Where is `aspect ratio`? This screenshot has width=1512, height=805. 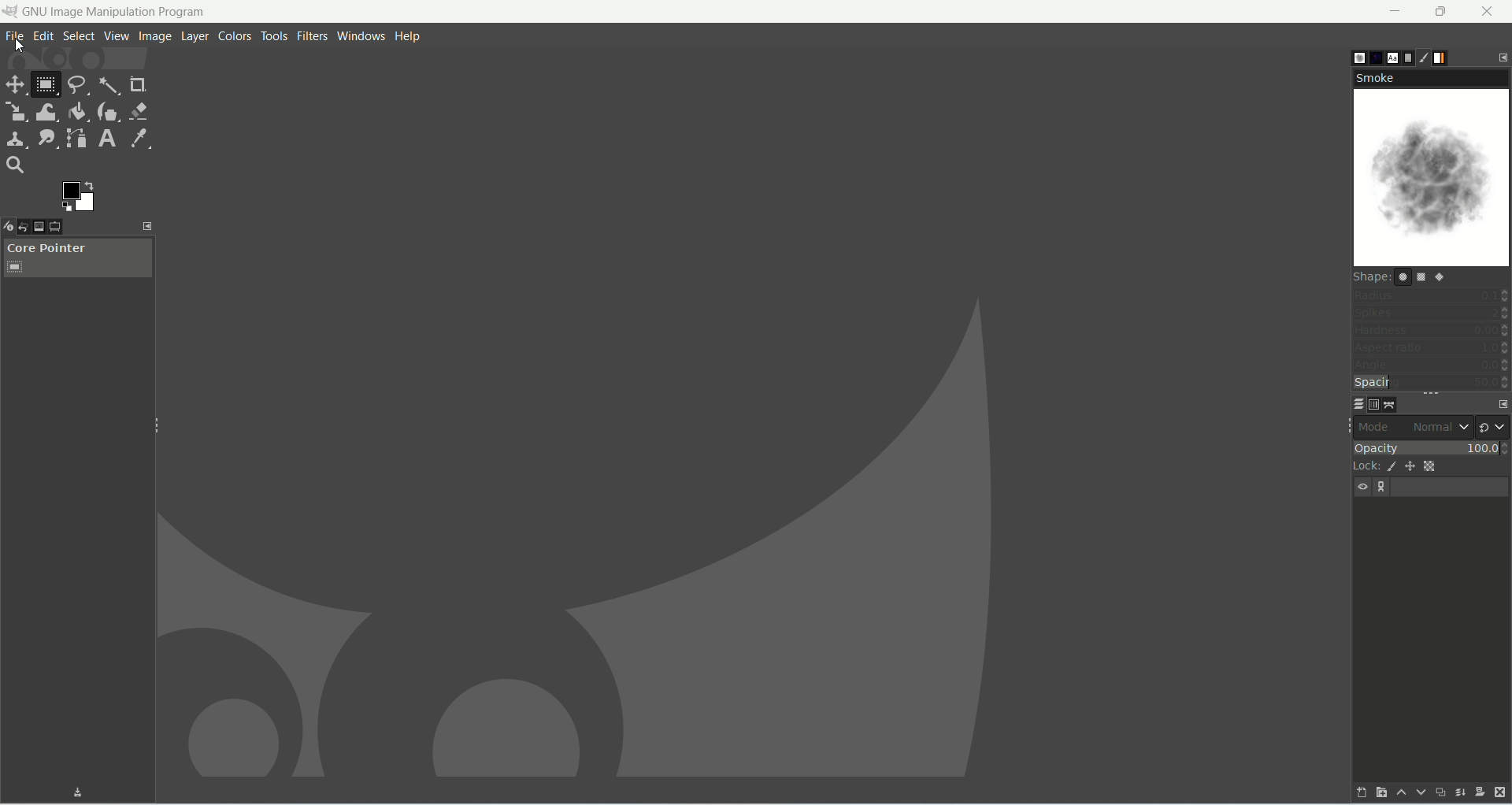
aspect ratio is located at coordinates (1432, 347).